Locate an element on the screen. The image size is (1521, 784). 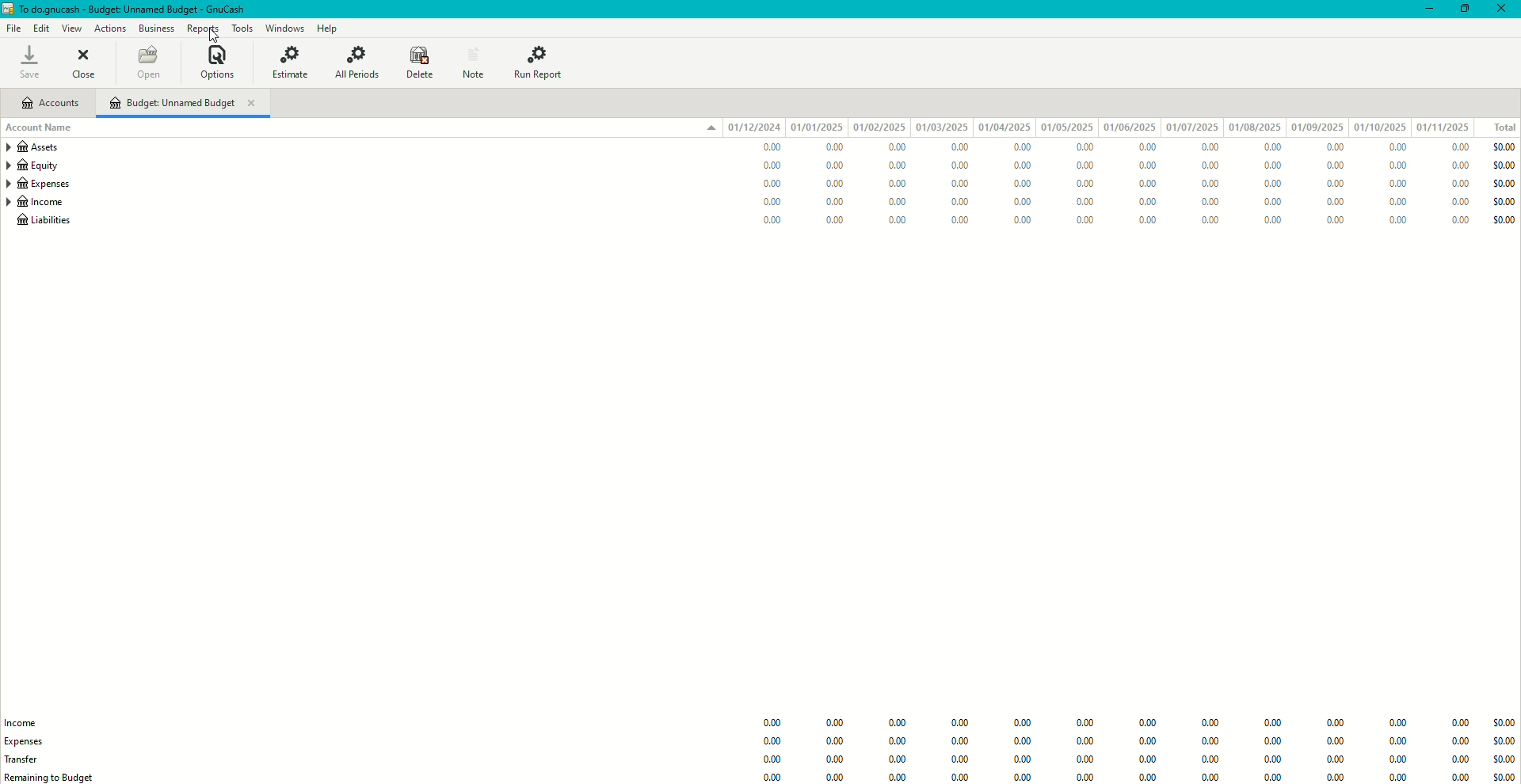
$0.00 is located at coordinates (1505, 166).